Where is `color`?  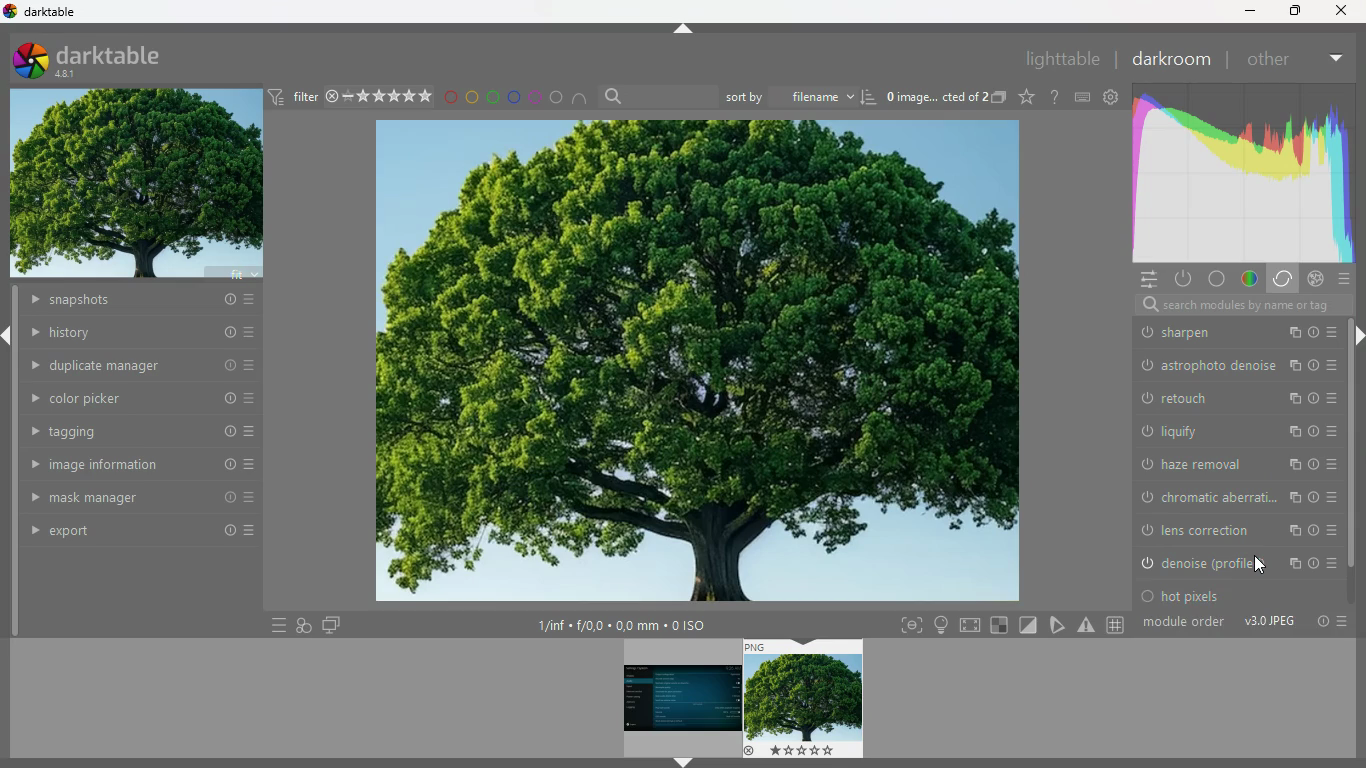
color is located at coordinates (1219, 279).